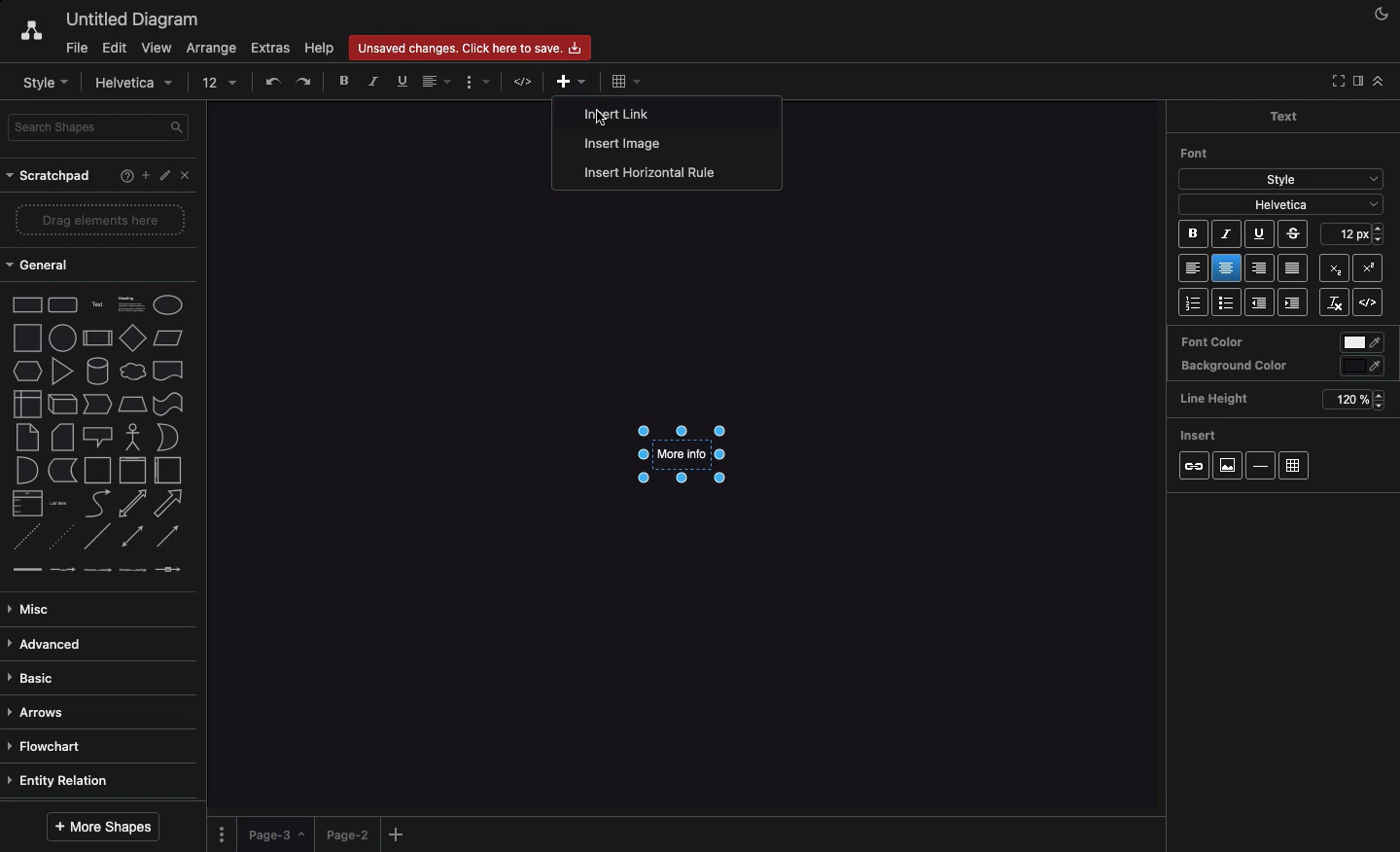  I want to click on Collapse, so click(1378, 81).